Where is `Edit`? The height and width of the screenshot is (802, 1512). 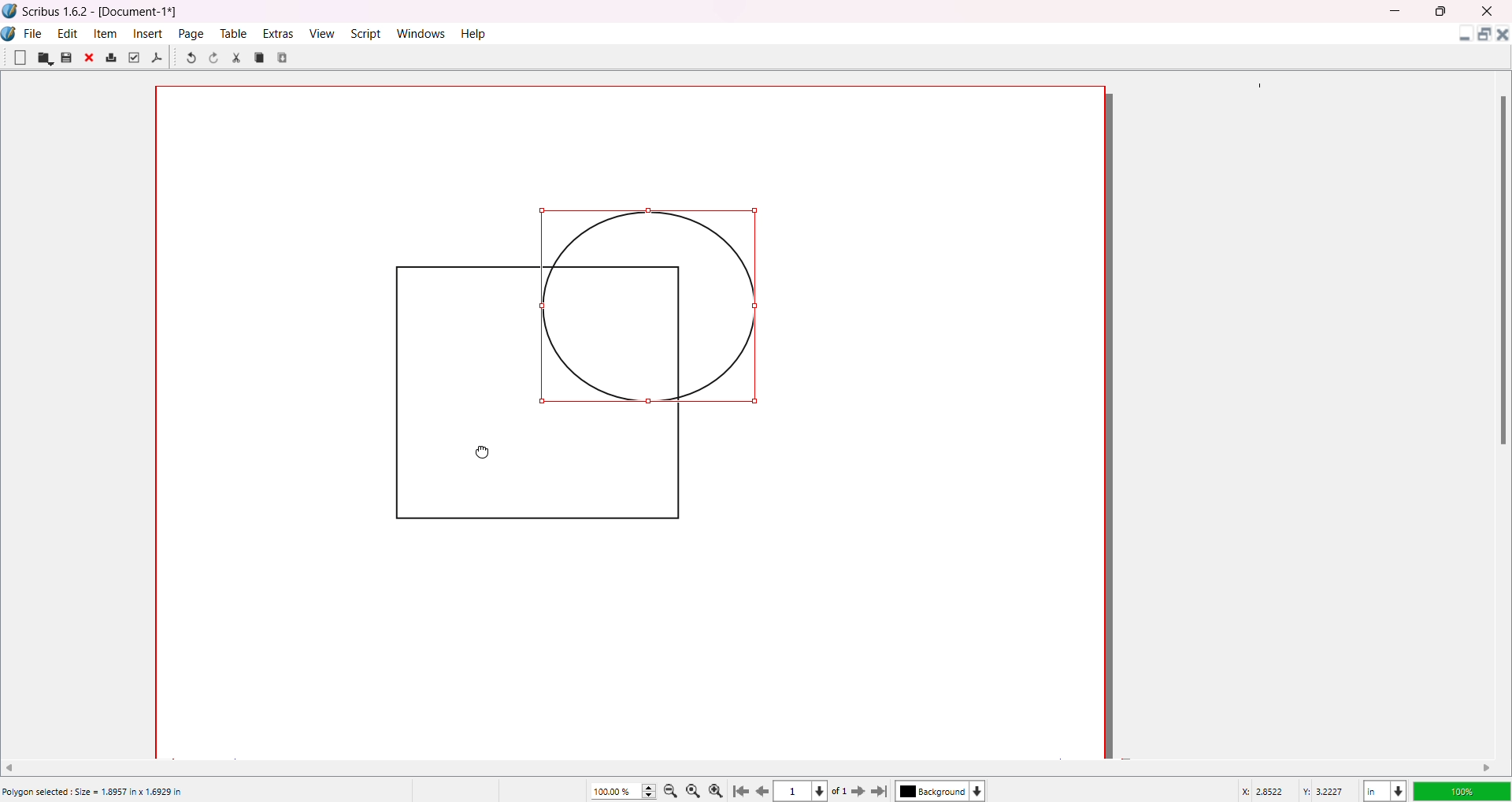
Edit is located at coordinates (68, 32).